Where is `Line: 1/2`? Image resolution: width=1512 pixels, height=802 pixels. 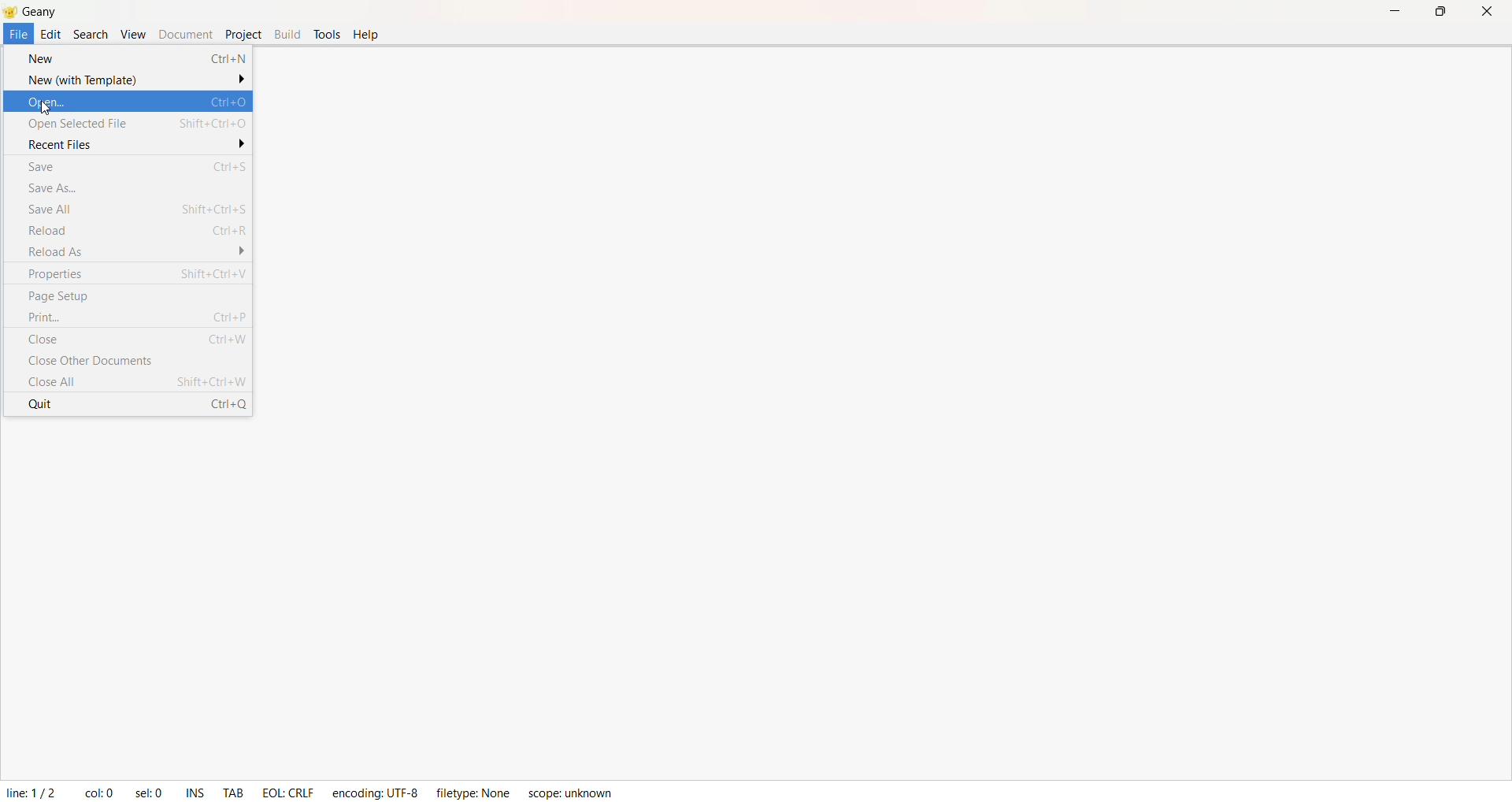
Line: 1/2 is located at coordinates (31, 793).